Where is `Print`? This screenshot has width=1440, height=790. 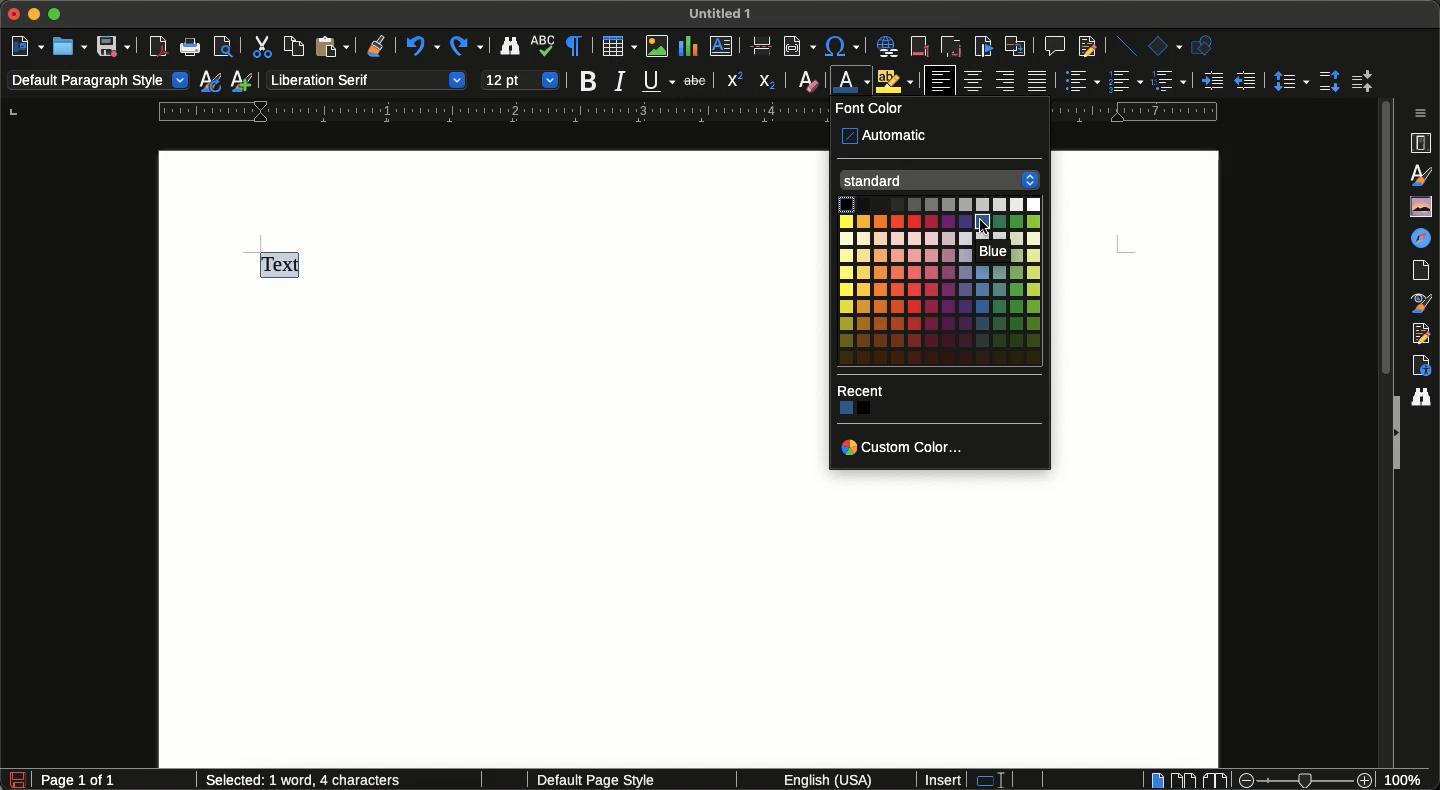 Print is located at coordinates (192, 49).